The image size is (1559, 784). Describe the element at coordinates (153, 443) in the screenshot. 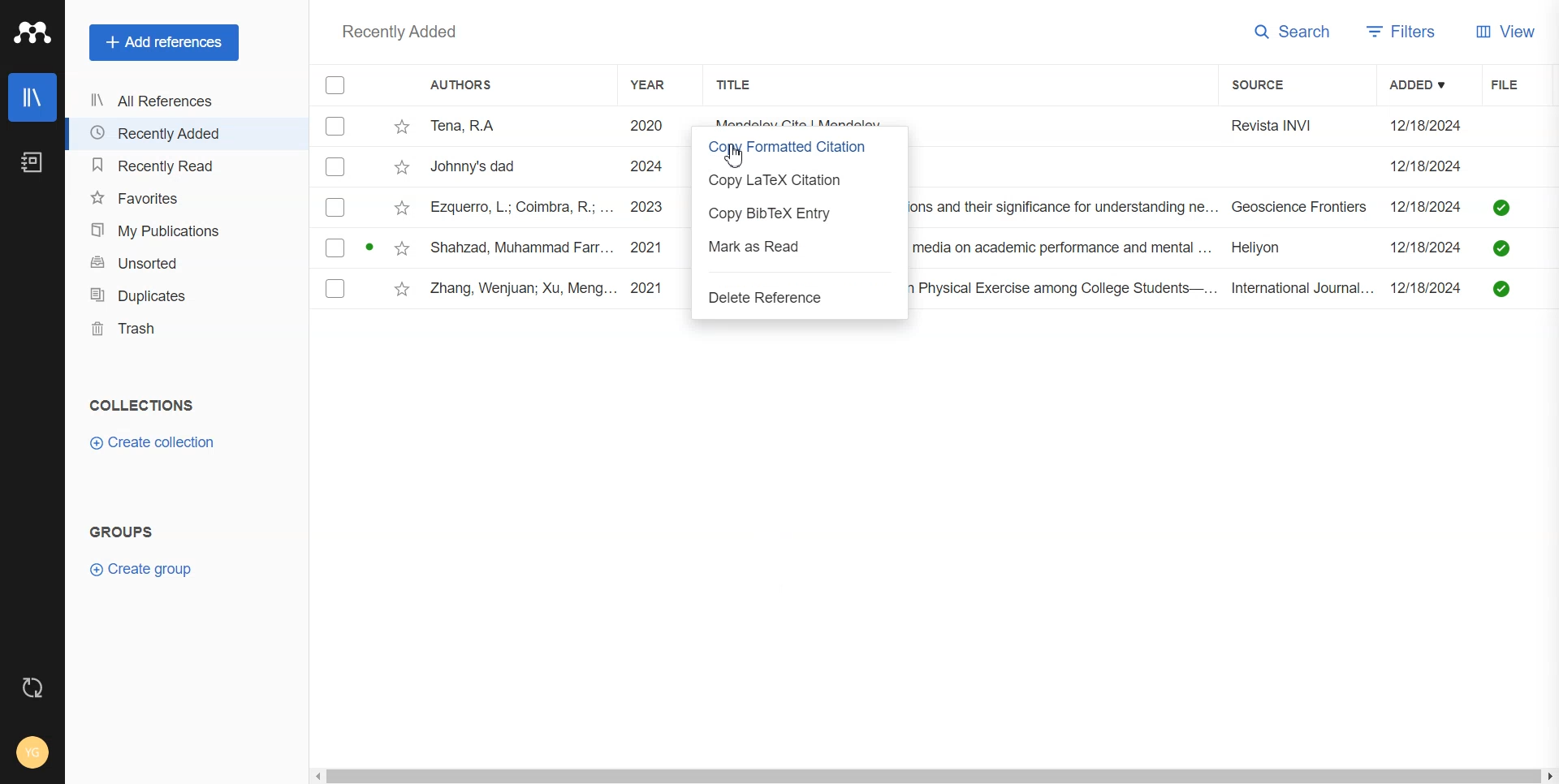

I see `Create Collection` at that location.